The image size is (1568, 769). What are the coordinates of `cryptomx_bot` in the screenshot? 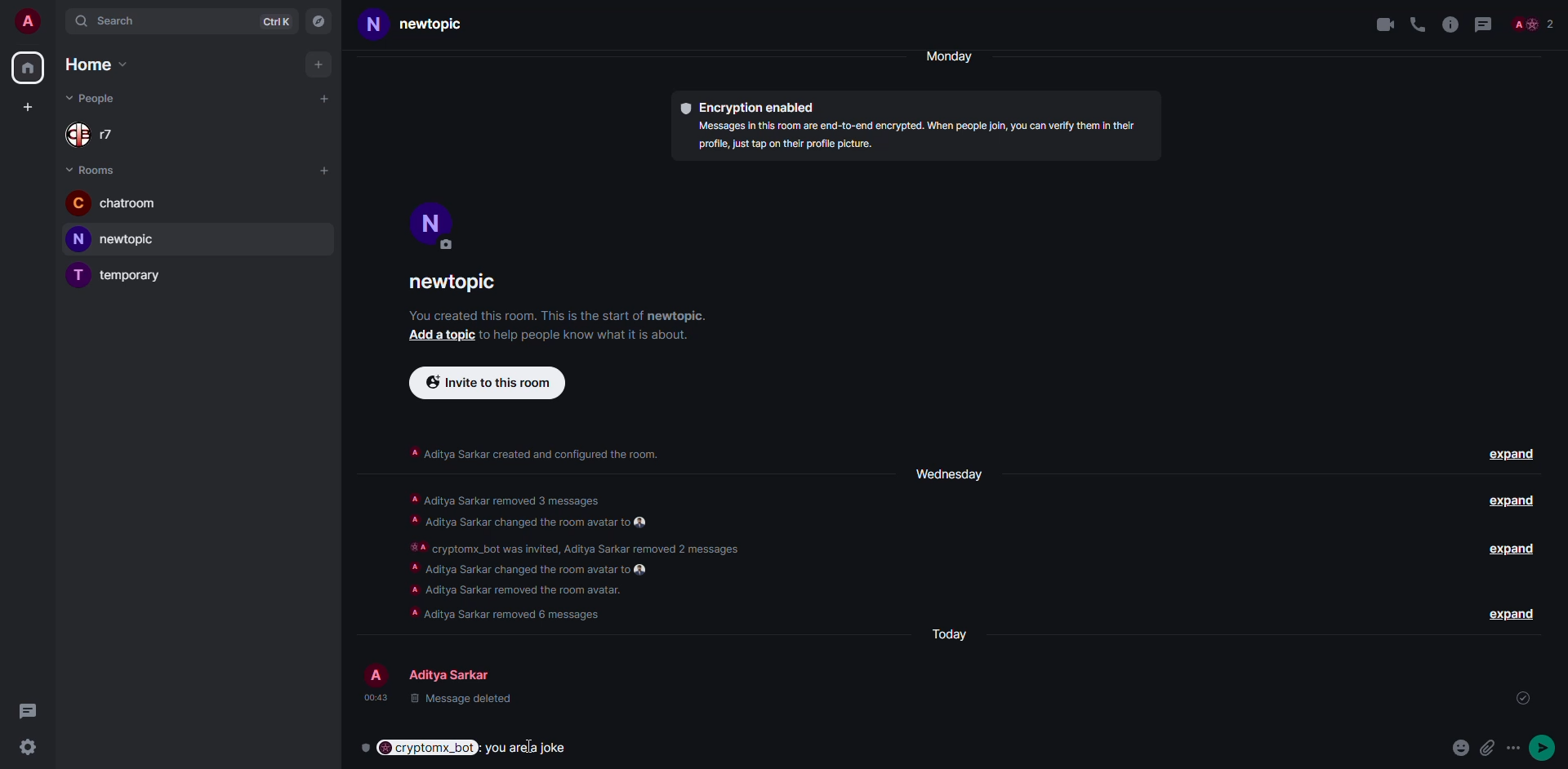 It's located at (418, 748).